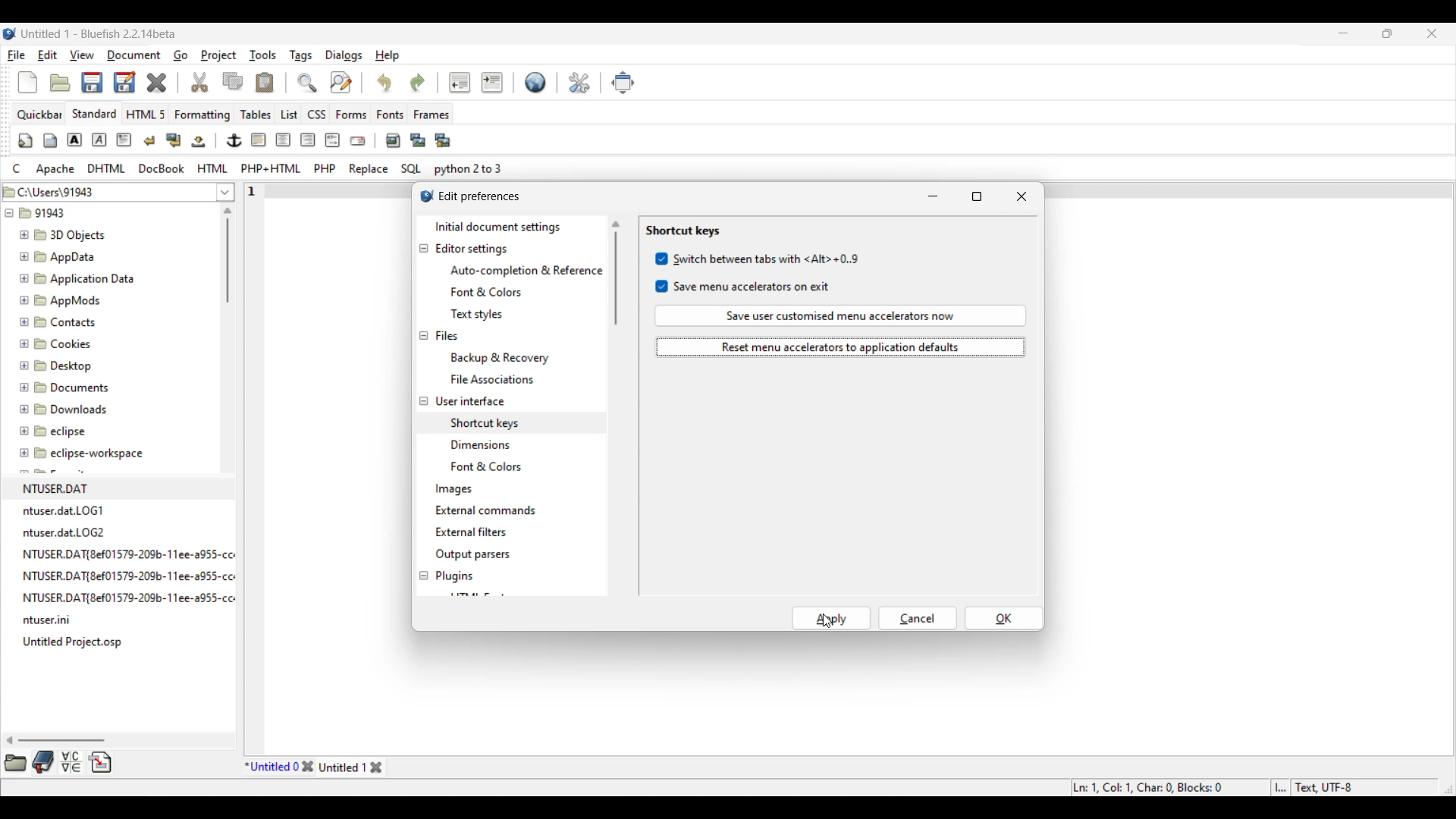 This screenshot has width=1456, height=819. What do you see at coordinates (53, 431) in the screenshot?
I see `®B eclipse` at bounding box center [53, 431].